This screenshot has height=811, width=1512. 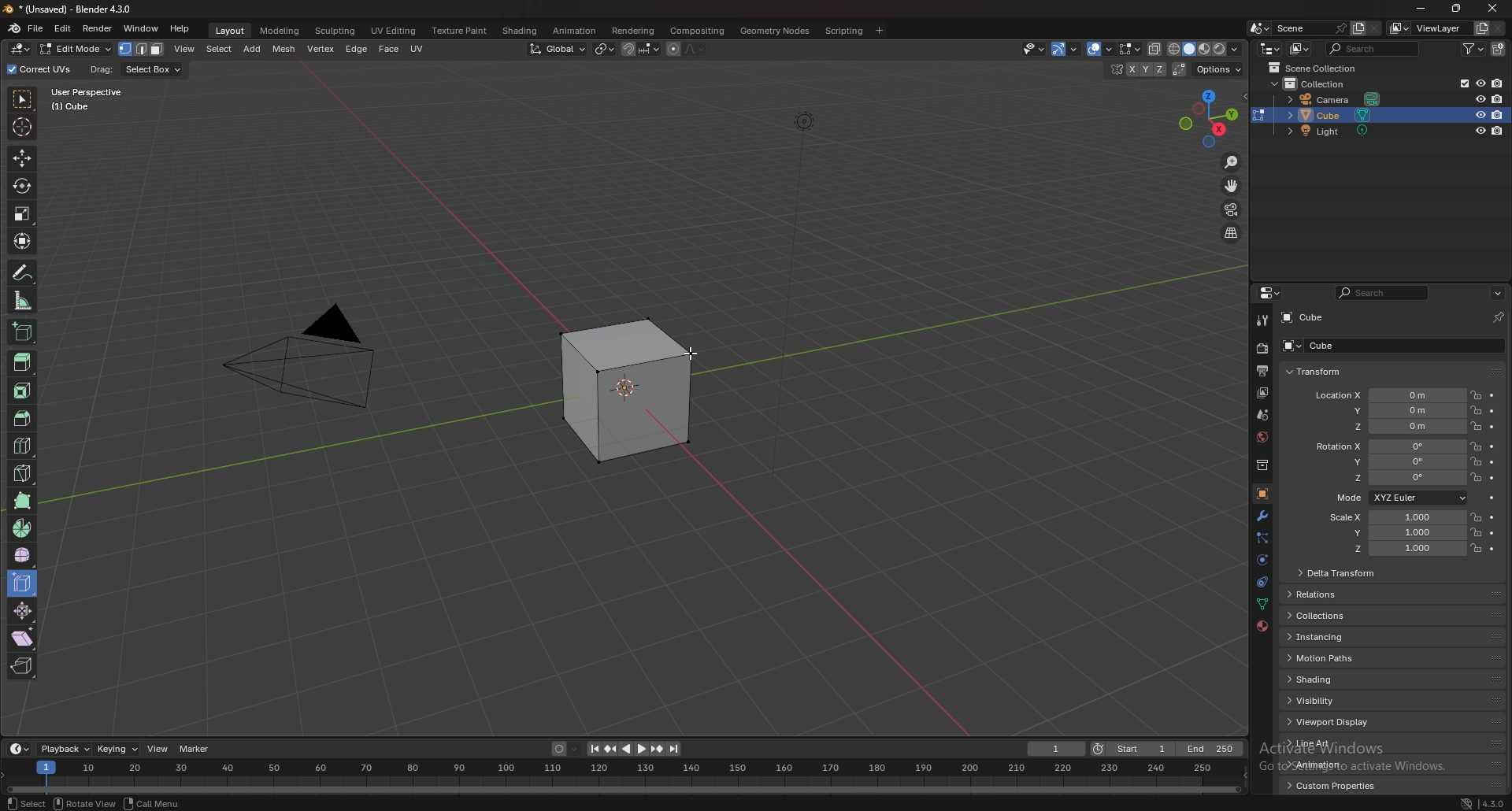 What do you see at coordinates (1136, 748) in the screenshot?
I see `start frame` at bounding box center [1136, 748].